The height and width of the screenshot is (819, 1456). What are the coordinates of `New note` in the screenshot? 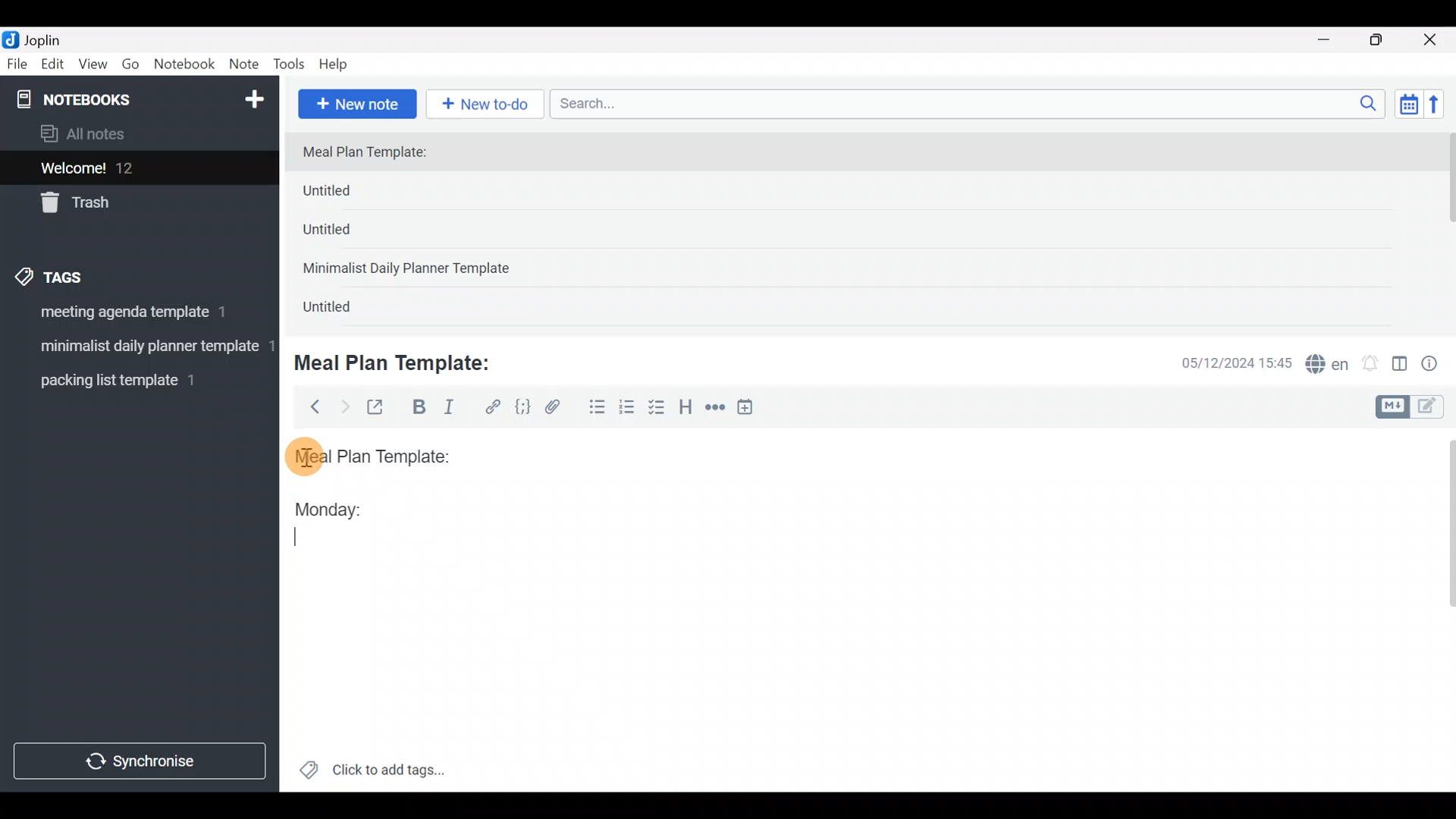 It's located at (356, 102).